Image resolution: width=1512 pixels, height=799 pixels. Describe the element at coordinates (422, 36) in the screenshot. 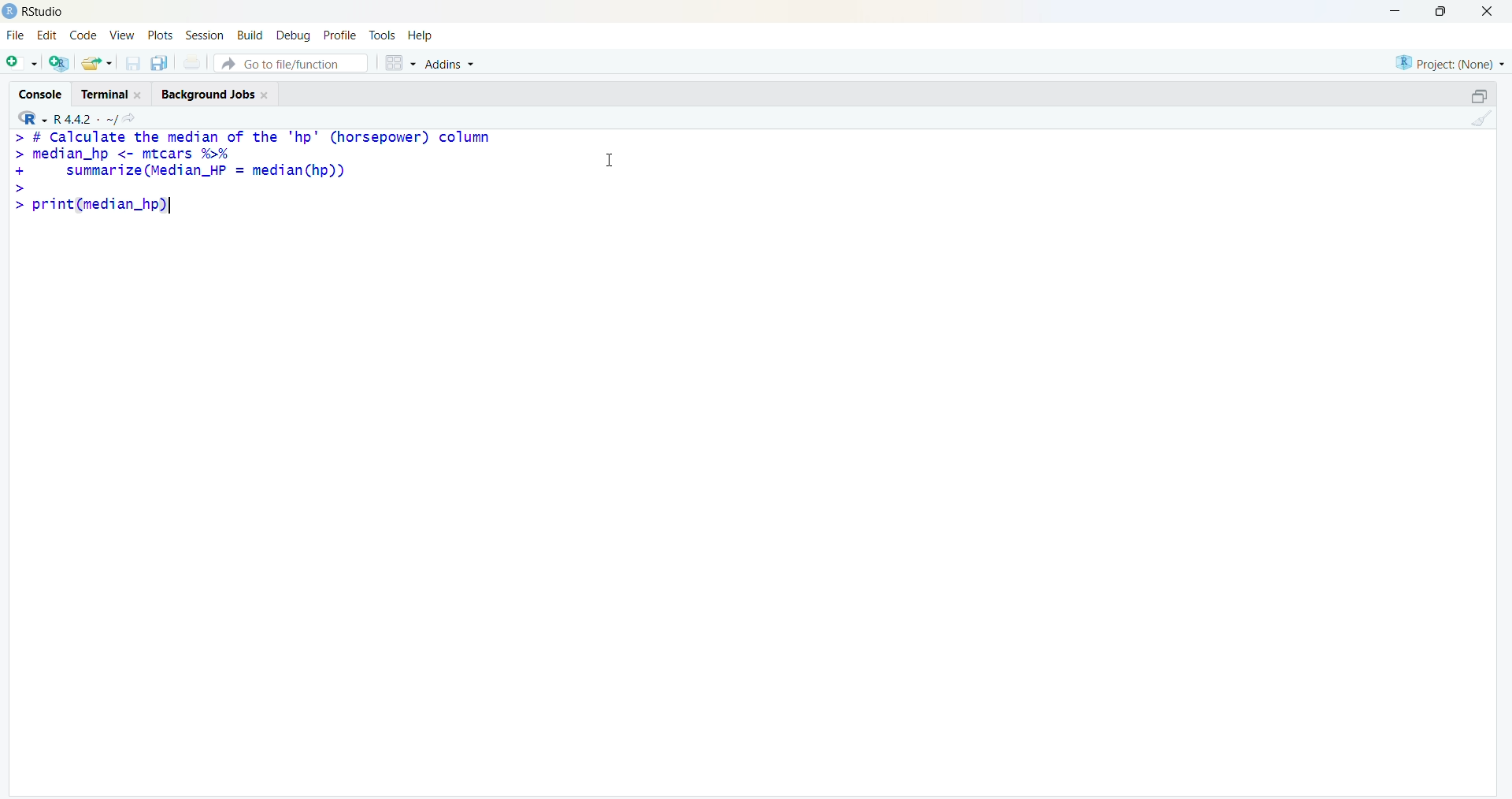

I see `help` at that location.